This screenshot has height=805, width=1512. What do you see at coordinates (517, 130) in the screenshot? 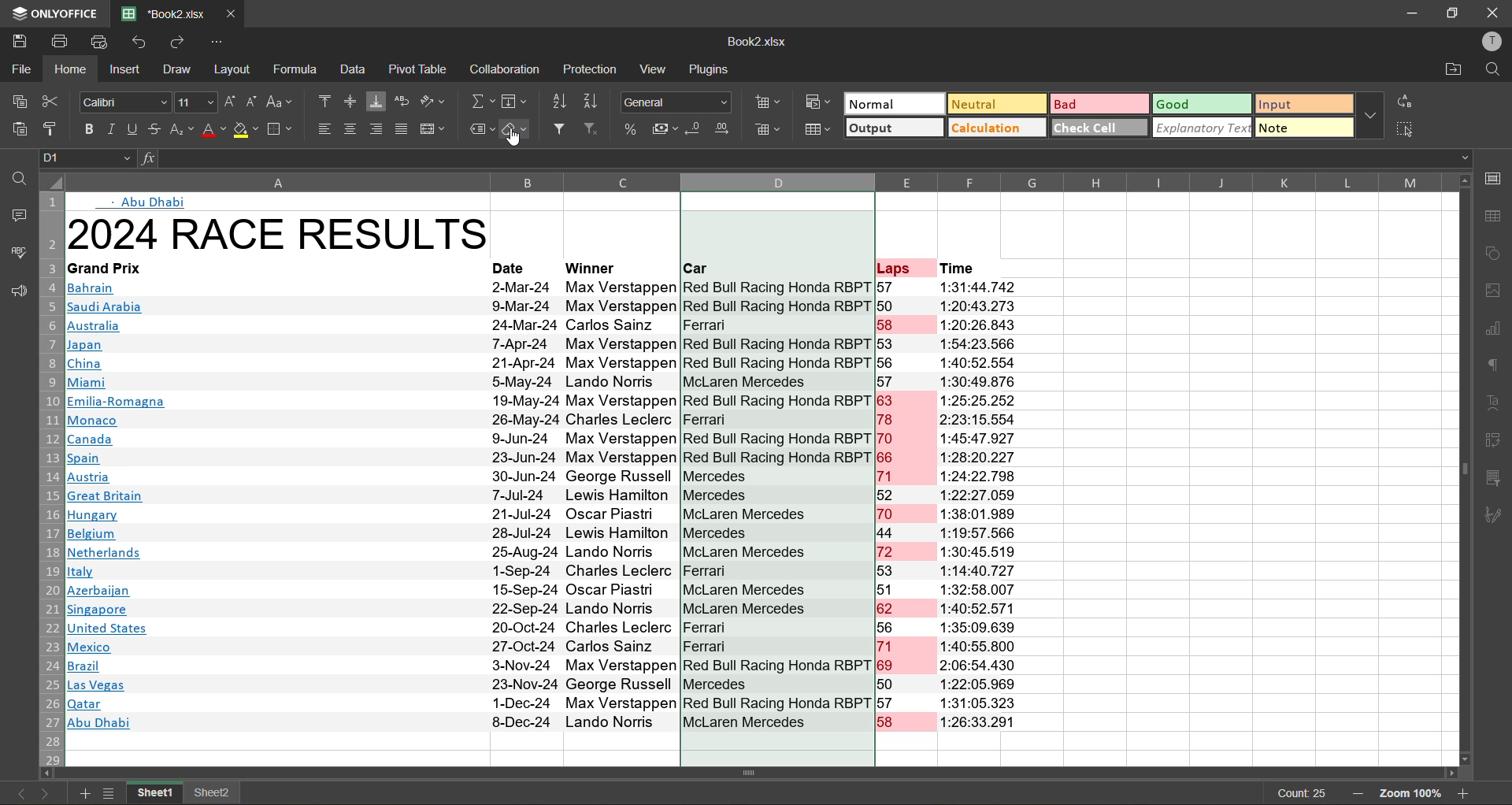
I see `clear` at bounding box center [517, 130].